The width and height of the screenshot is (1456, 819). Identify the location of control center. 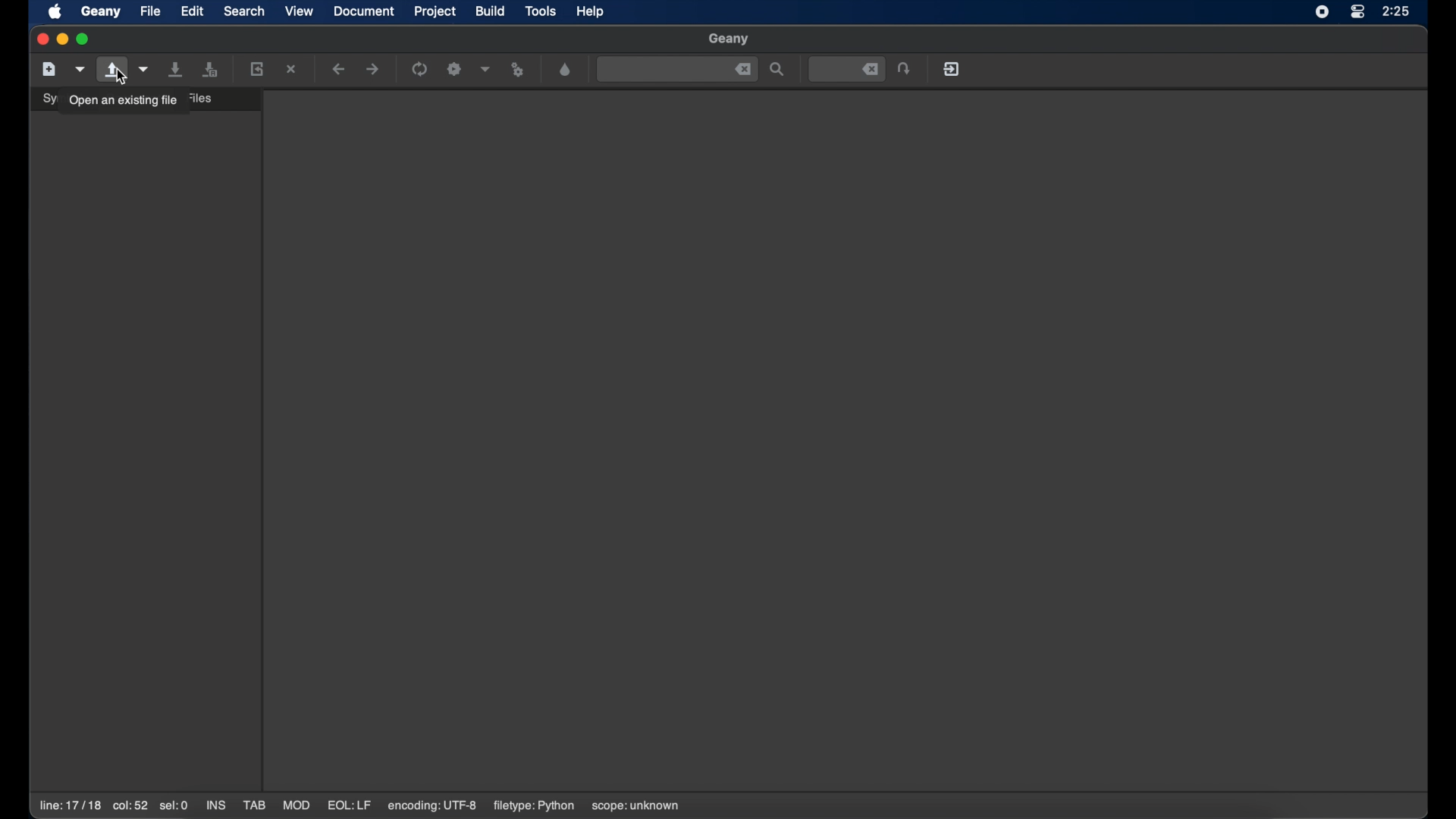
(1357, 11).